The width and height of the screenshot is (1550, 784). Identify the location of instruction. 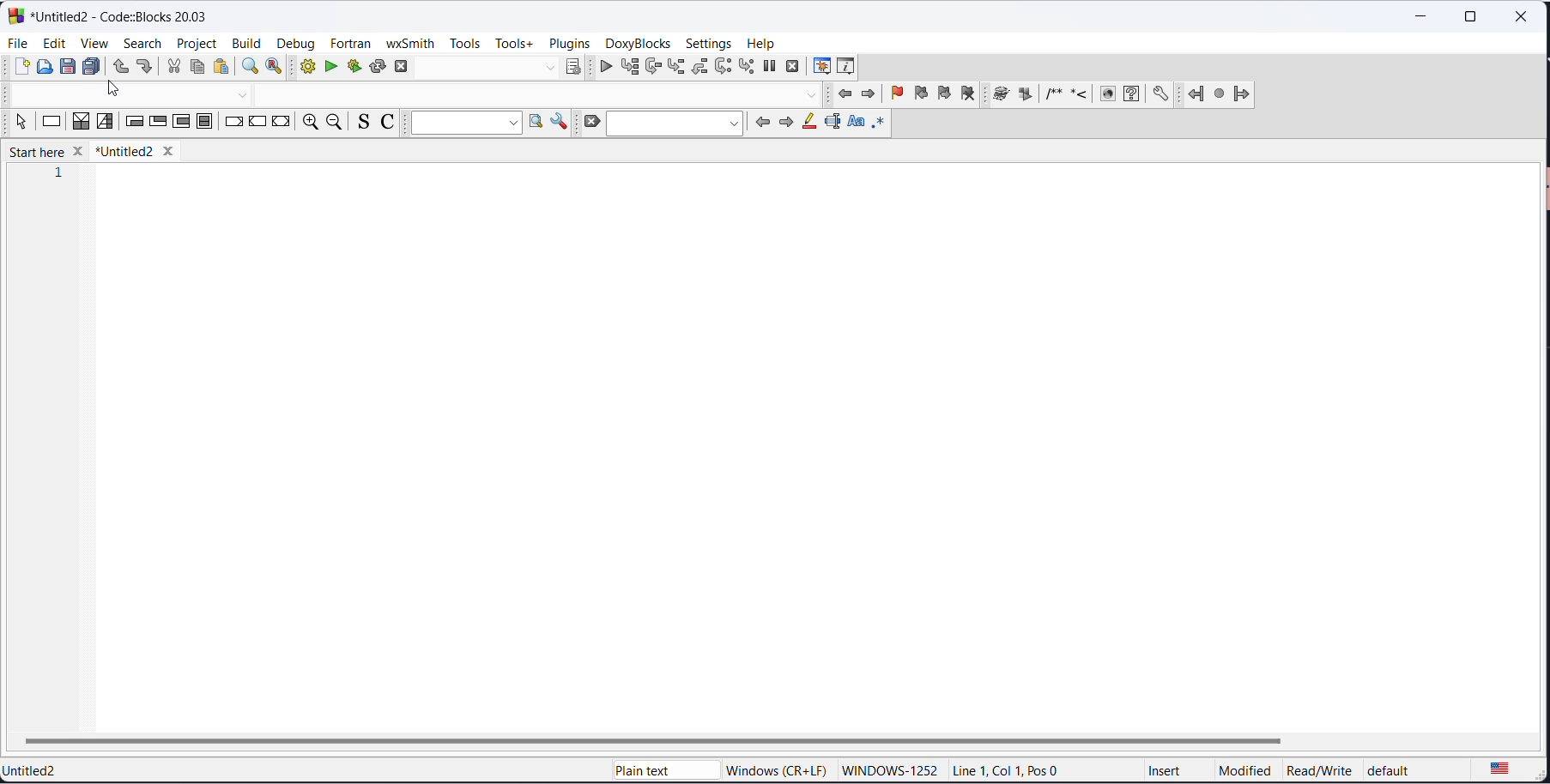
(50, 122).